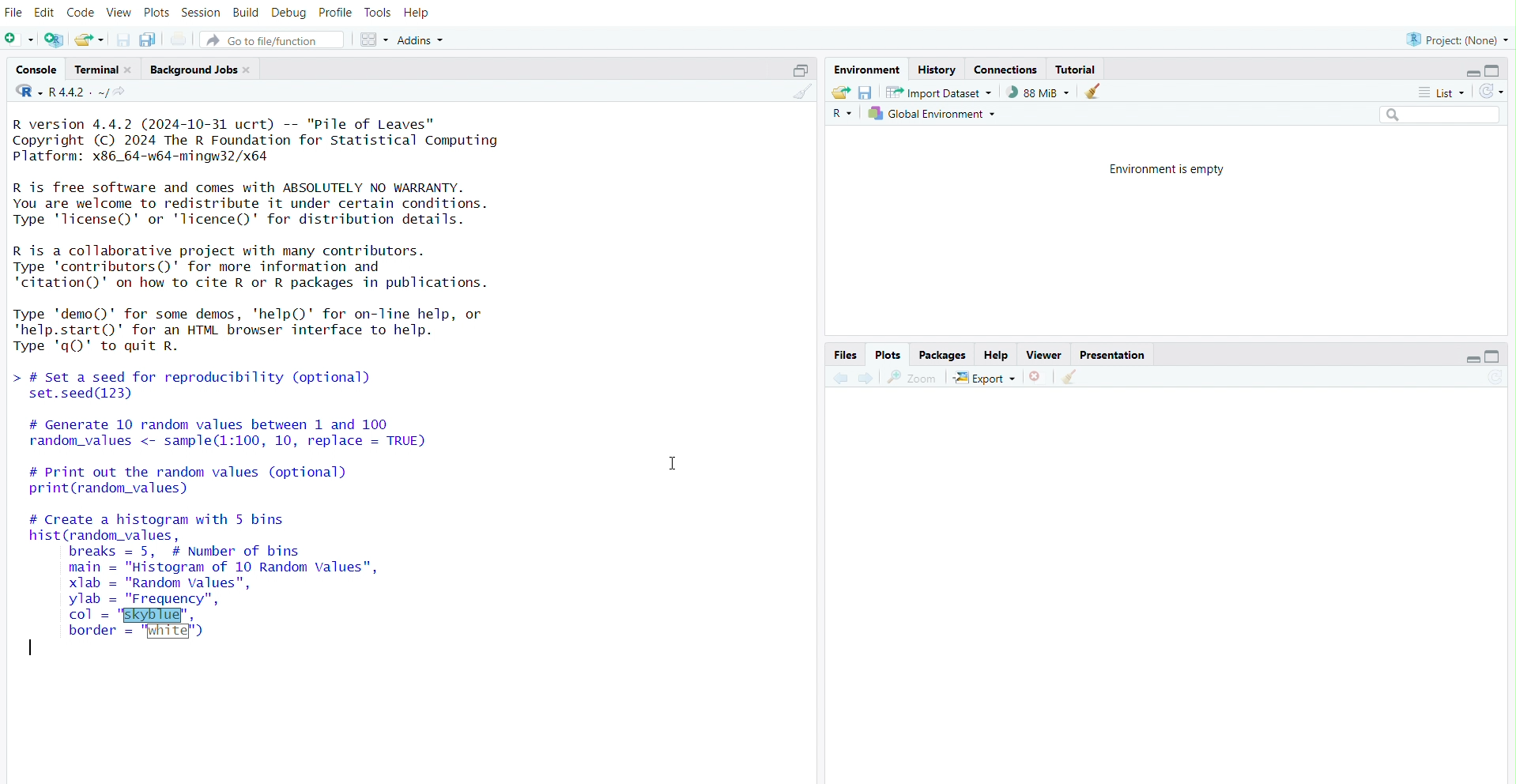 Image resolution: width=1516 pixels, height=784 pixels. Describe the element at coordinates (23, 91) in the screenshot. I see `language change` at that location.